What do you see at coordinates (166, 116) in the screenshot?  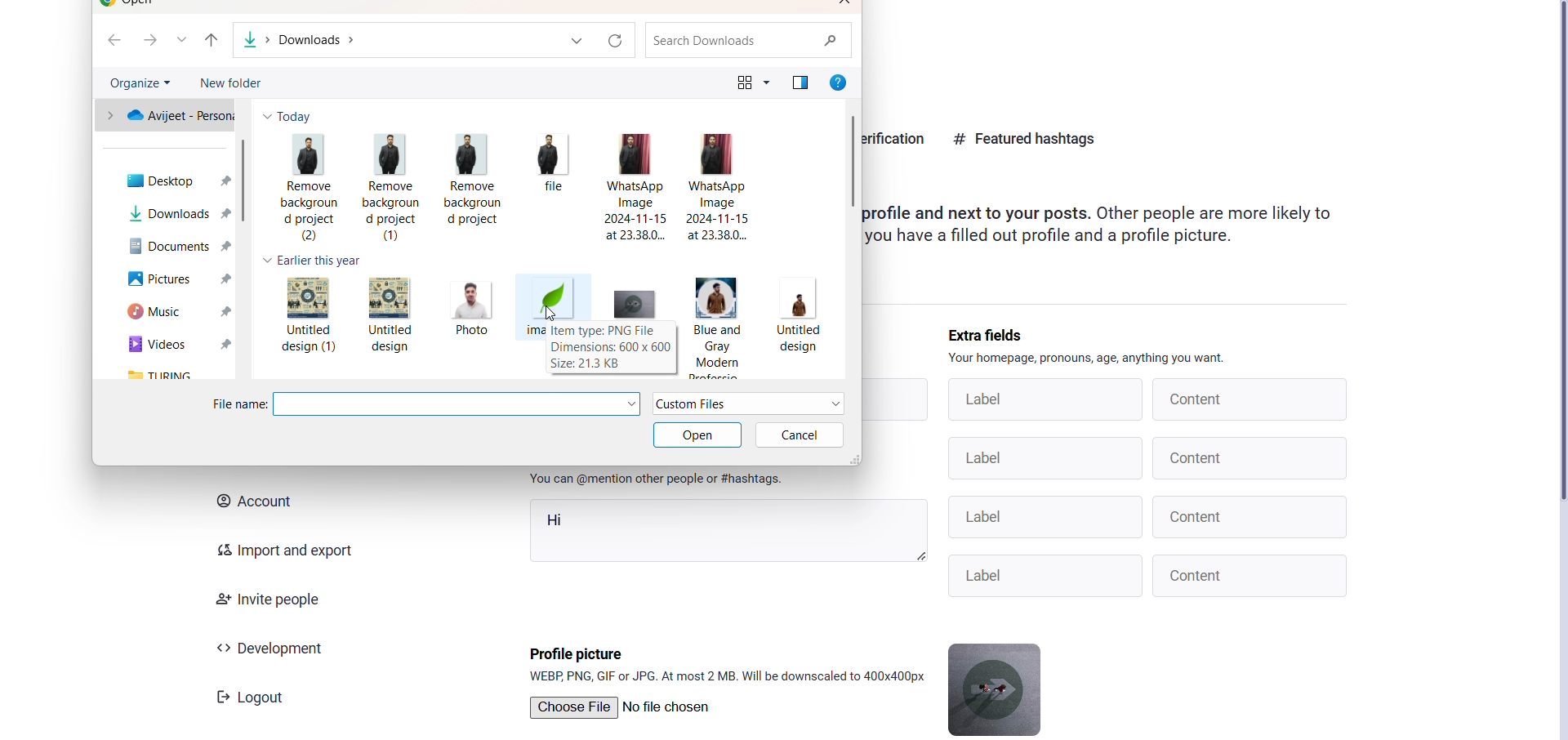 I see `personal` at bounding box center [166, 116].